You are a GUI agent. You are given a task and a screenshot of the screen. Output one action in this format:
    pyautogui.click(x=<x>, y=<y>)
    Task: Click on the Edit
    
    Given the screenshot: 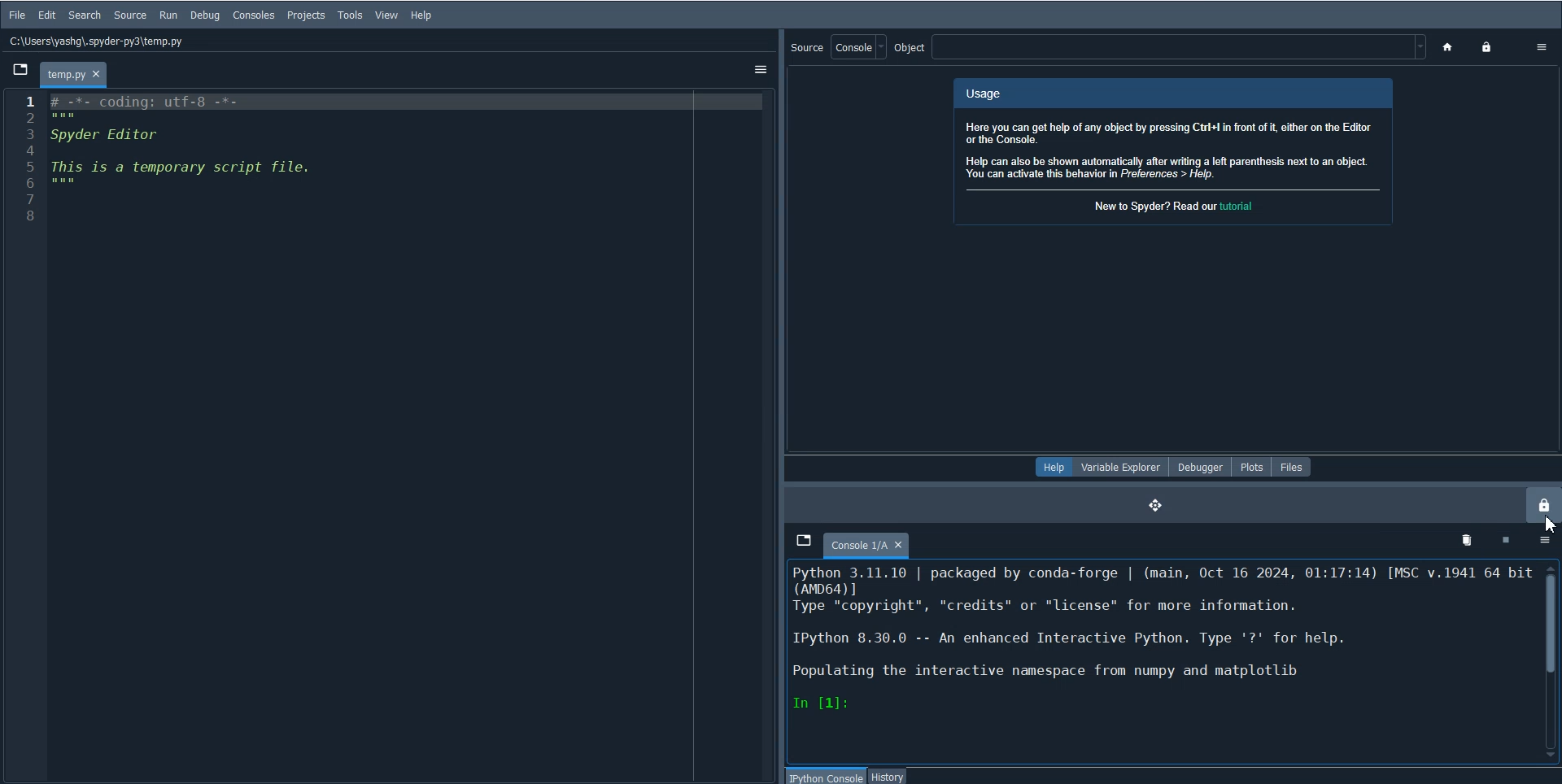 What is the action you would take?
    pyautogui.click(x=47, y=15)
    